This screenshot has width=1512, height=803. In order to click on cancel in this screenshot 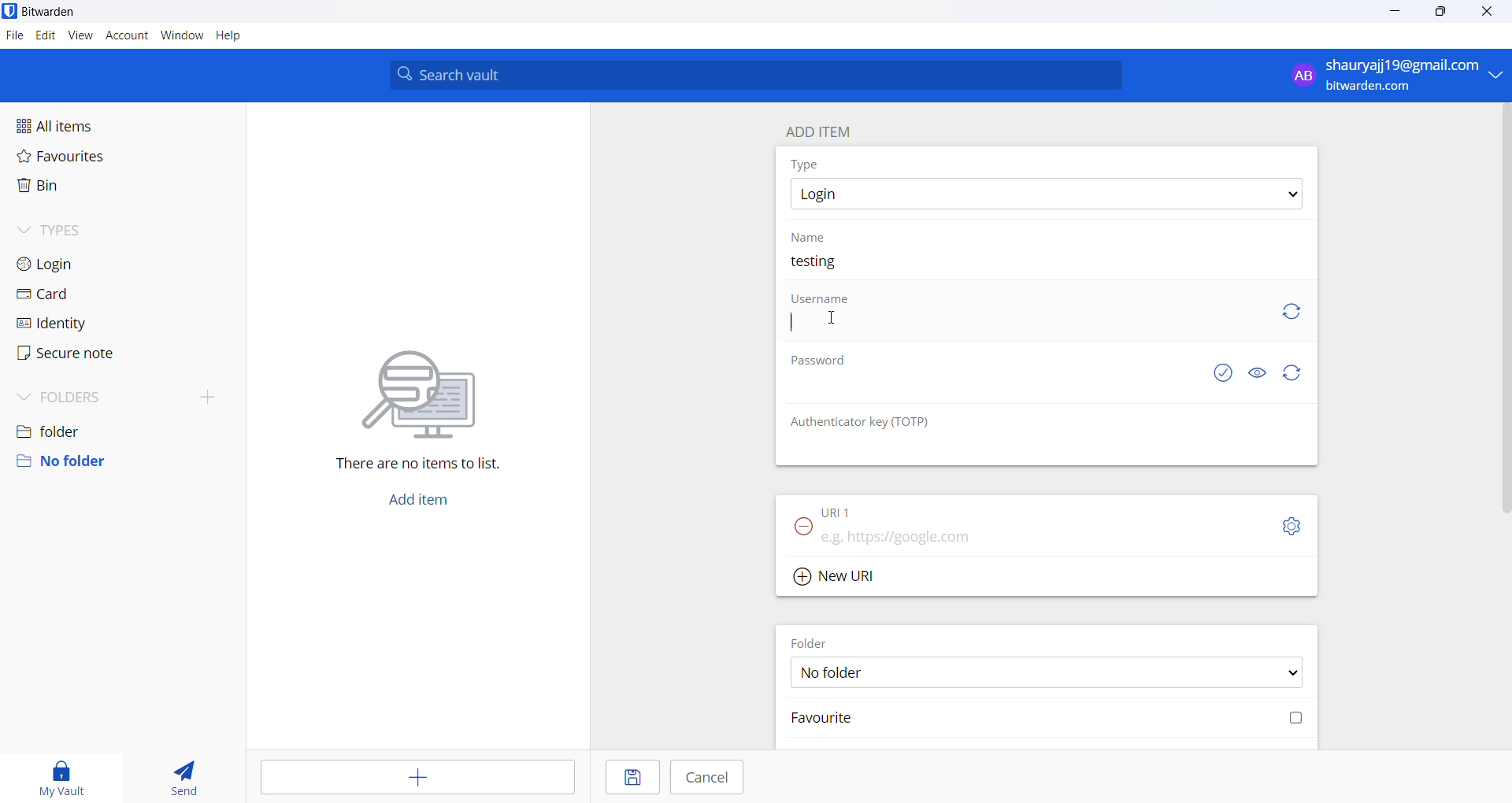, I will do `click(706, 777)`.